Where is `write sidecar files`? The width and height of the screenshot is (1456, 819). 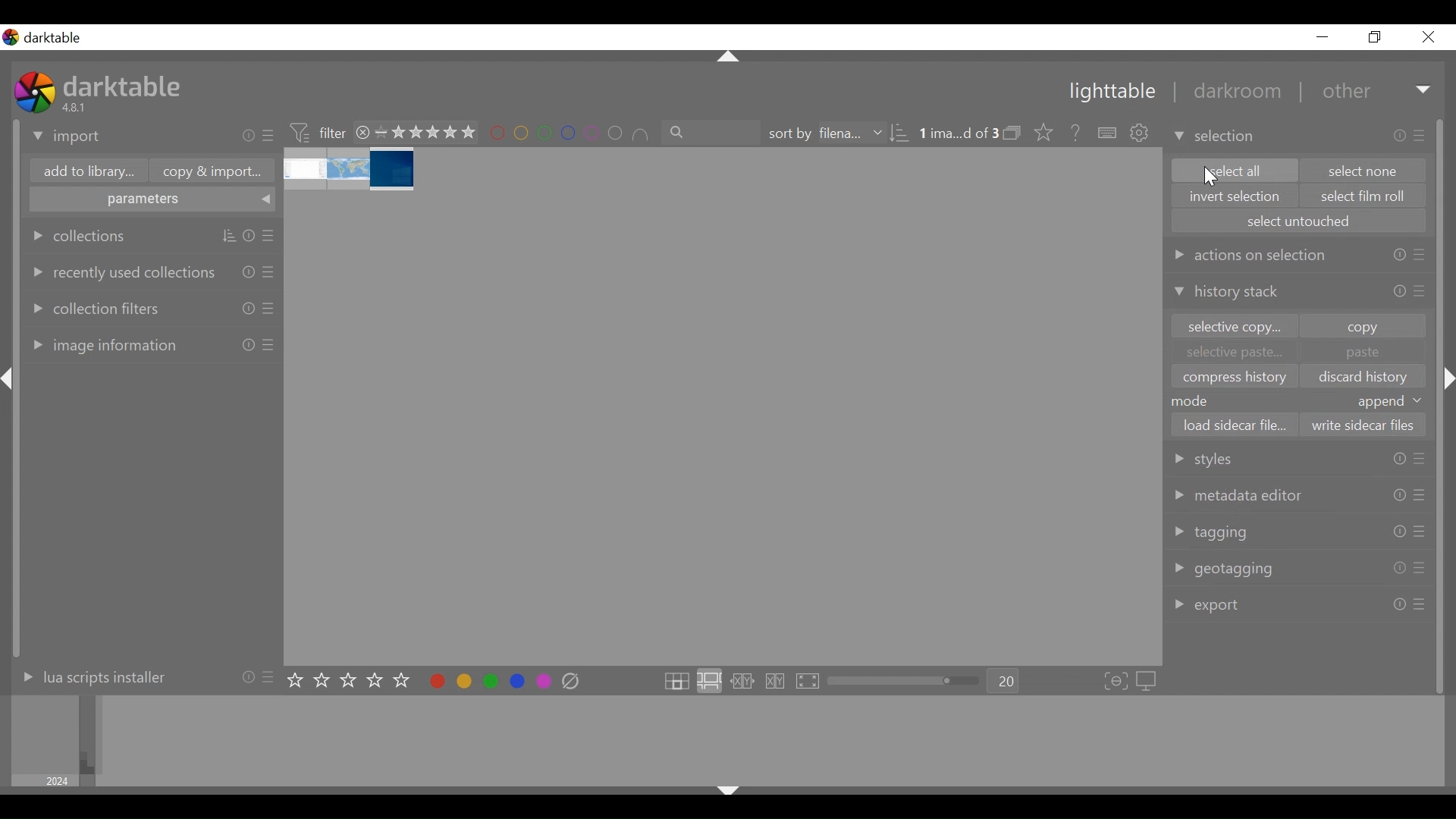 write sidecar files is located at coordinates (1361, 425).